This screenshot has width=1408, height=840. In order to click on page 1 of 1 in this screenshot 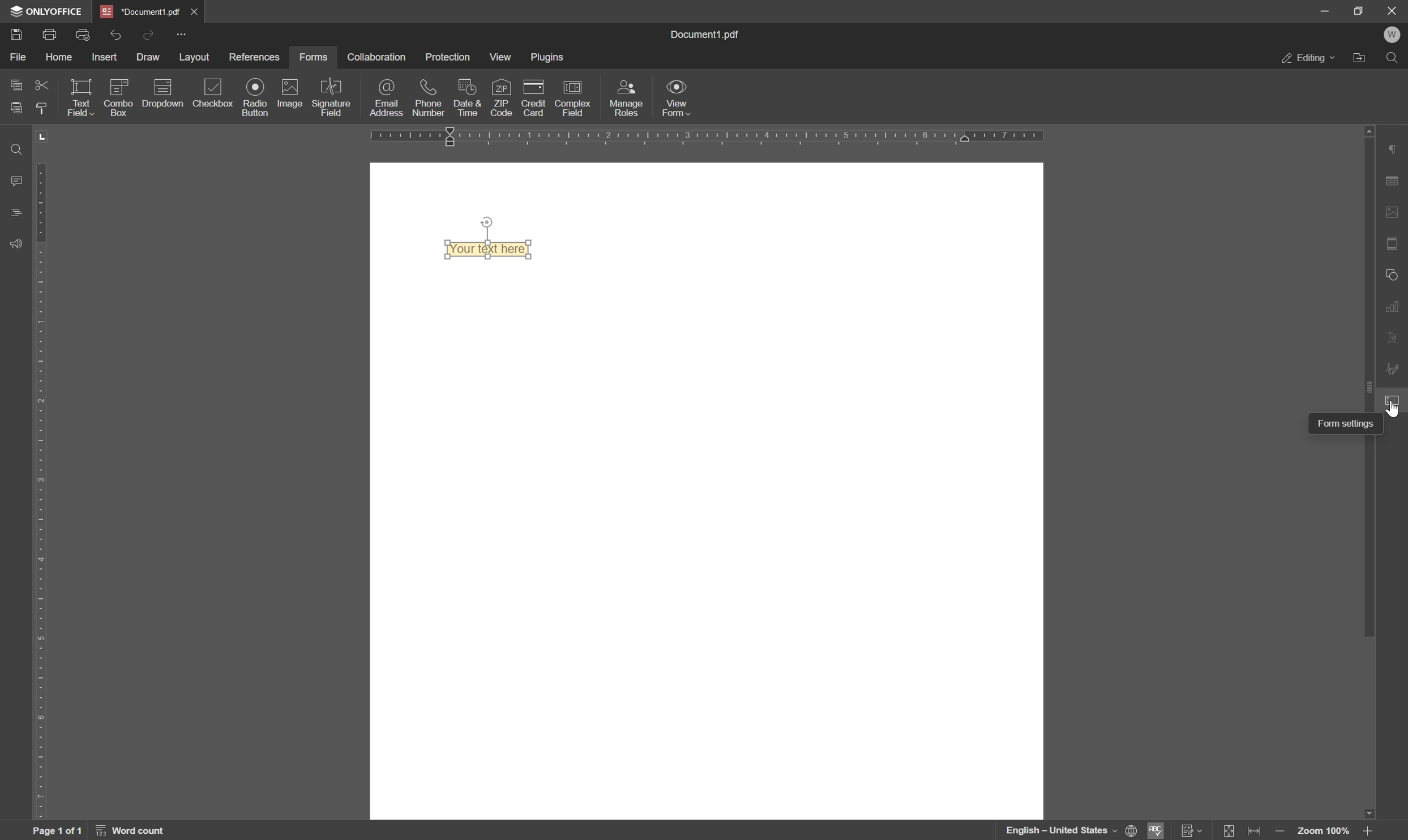, I will do `click(56, 831)`.